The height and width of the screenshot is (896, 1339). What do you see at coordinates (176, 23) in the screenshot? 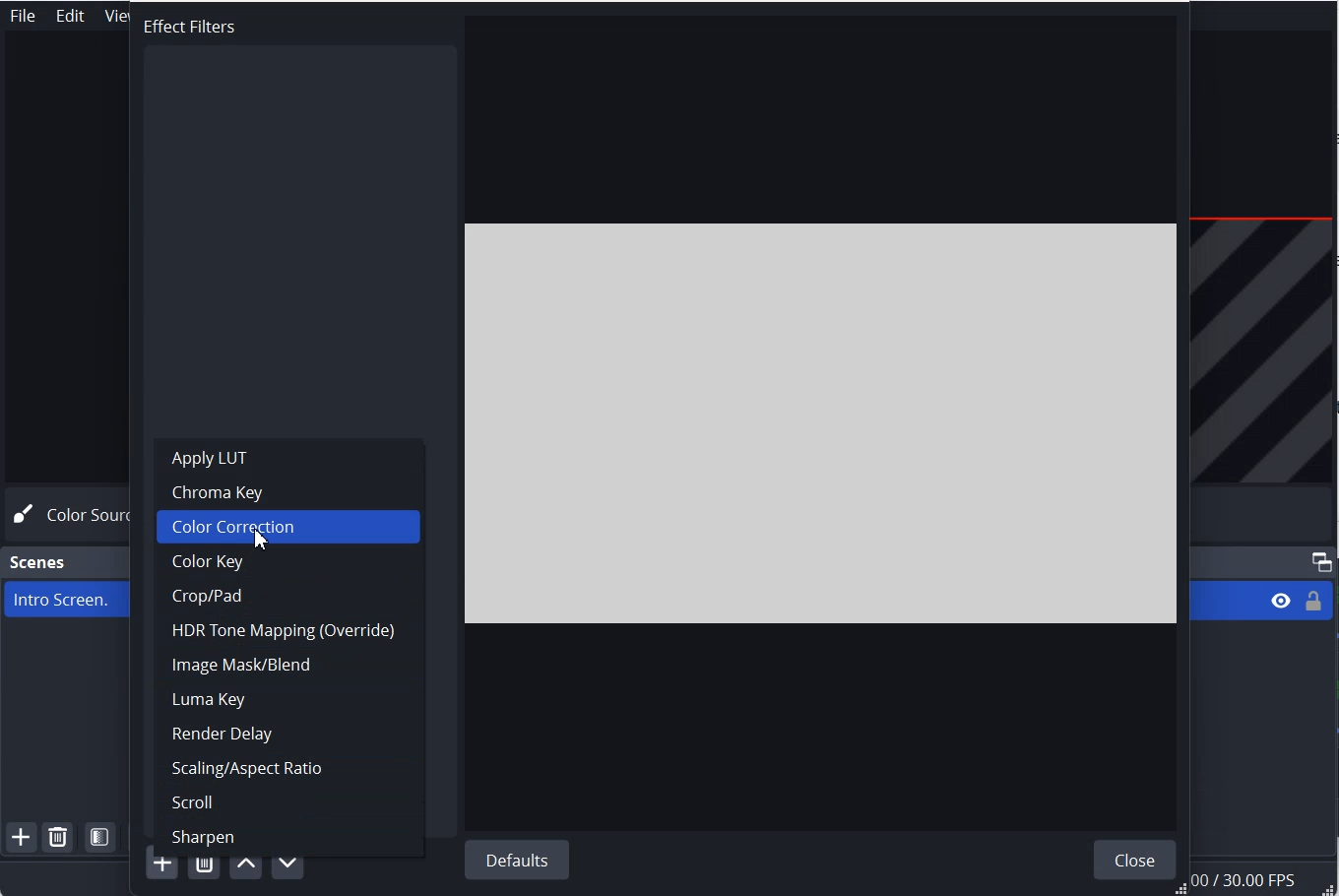
I see `Text` at bounding box center [176, 23].